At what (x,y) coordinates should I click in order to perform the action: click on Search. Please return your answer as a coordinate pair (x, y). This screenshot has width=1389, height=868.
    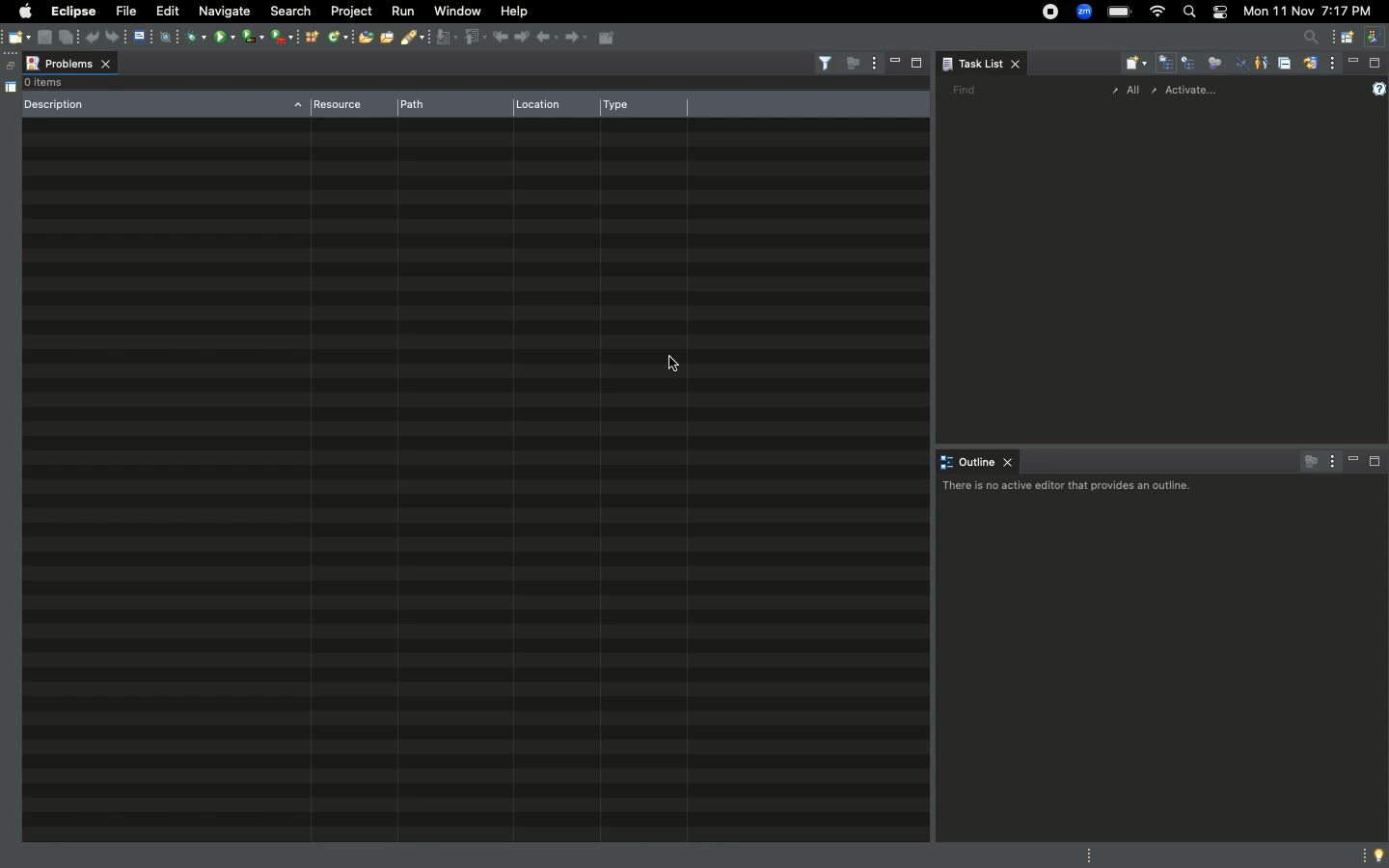
    Looking at the image, I should click on (1188, 14).